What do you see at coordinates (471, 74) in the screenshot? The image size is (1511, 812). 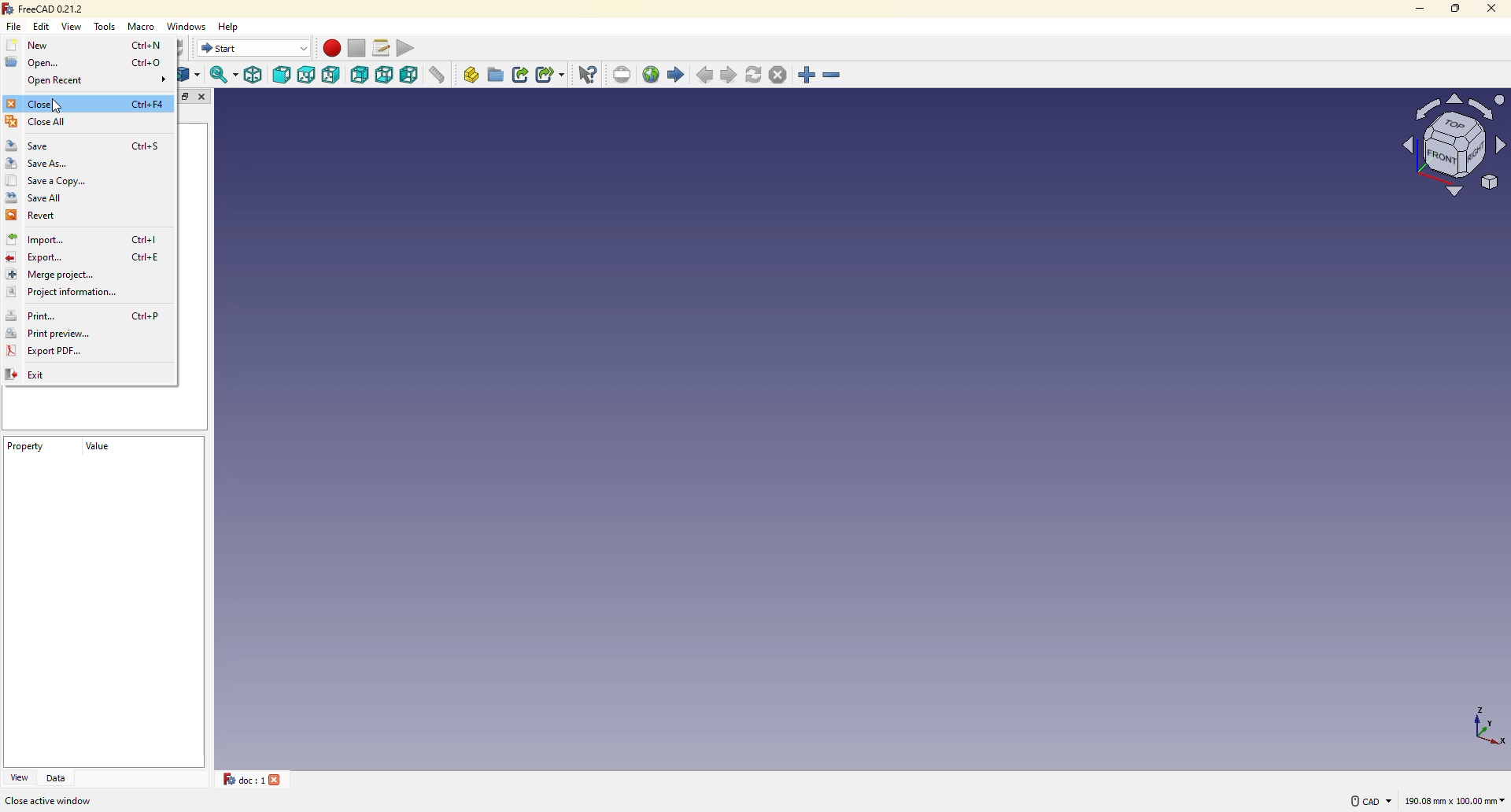 I see `create part` at bounding box center [471, 74].